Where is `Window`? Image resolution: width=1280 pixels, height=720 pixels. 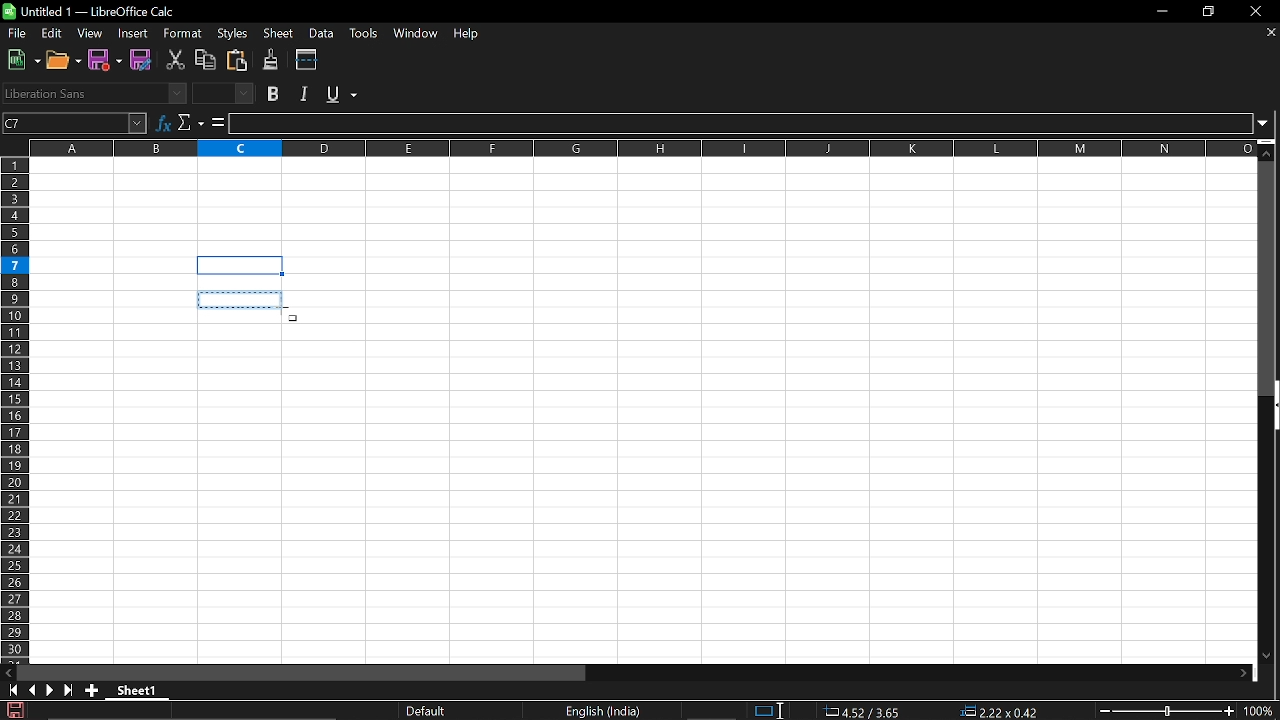 Window is located at coordinates (415, 34).